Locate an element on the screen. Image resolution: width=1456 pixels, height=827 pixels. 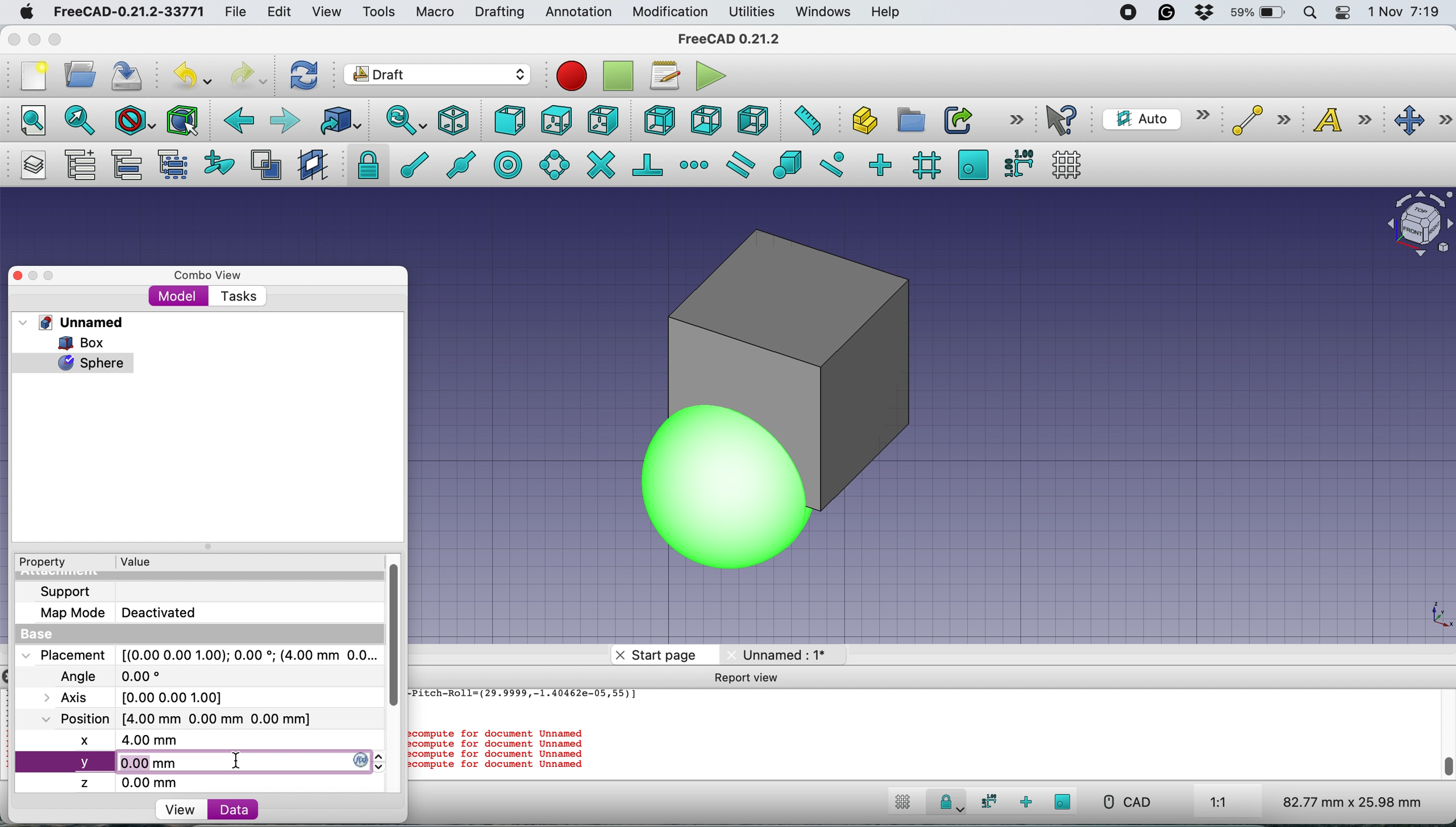
snap endpoint is located at coordinates (408, 169).